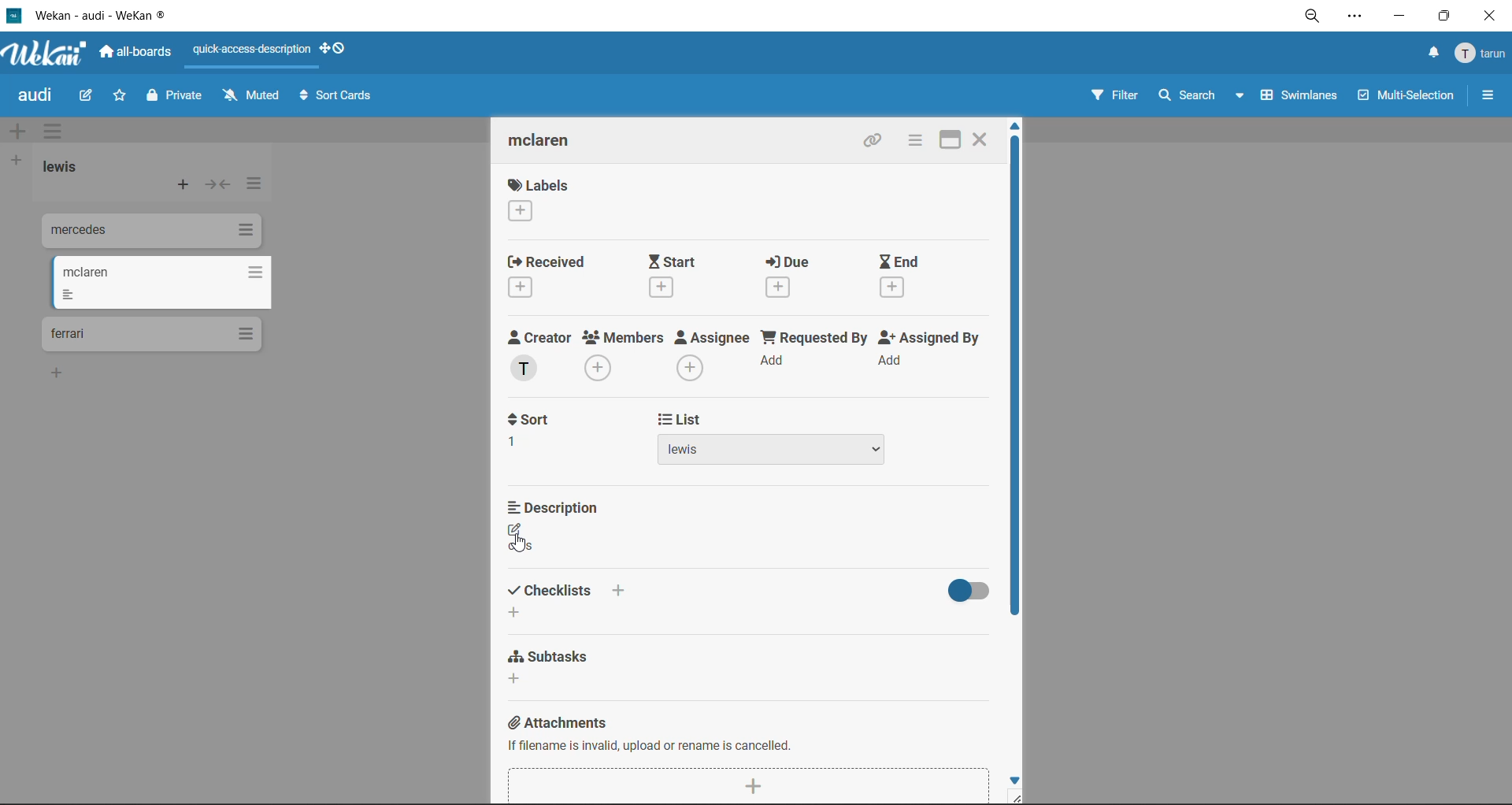 Image resolution: width=1512 pixels, height=805 pixels. What do you see at coordinates (86, 97) in the screenshot?
I see `edit` at bounding box center [86, 97].